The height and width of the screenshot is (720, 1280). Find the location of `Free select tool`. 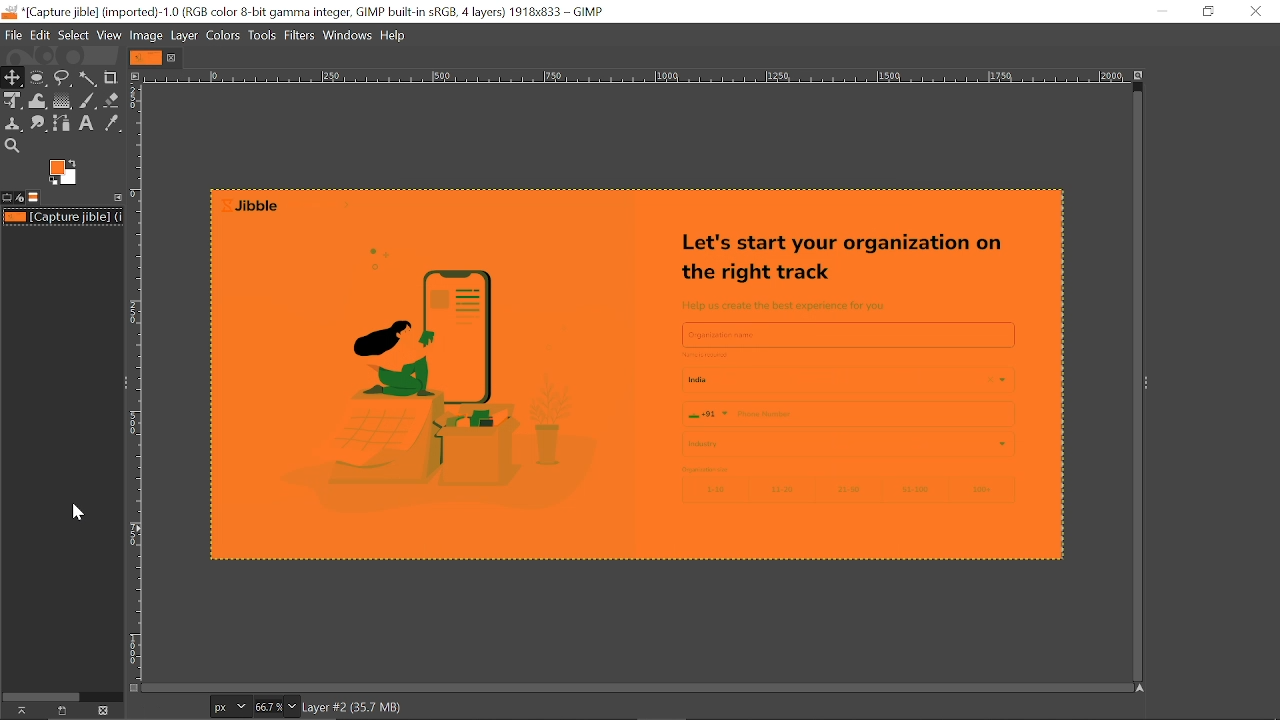

Free select tool is located at coordinates (63, 79).